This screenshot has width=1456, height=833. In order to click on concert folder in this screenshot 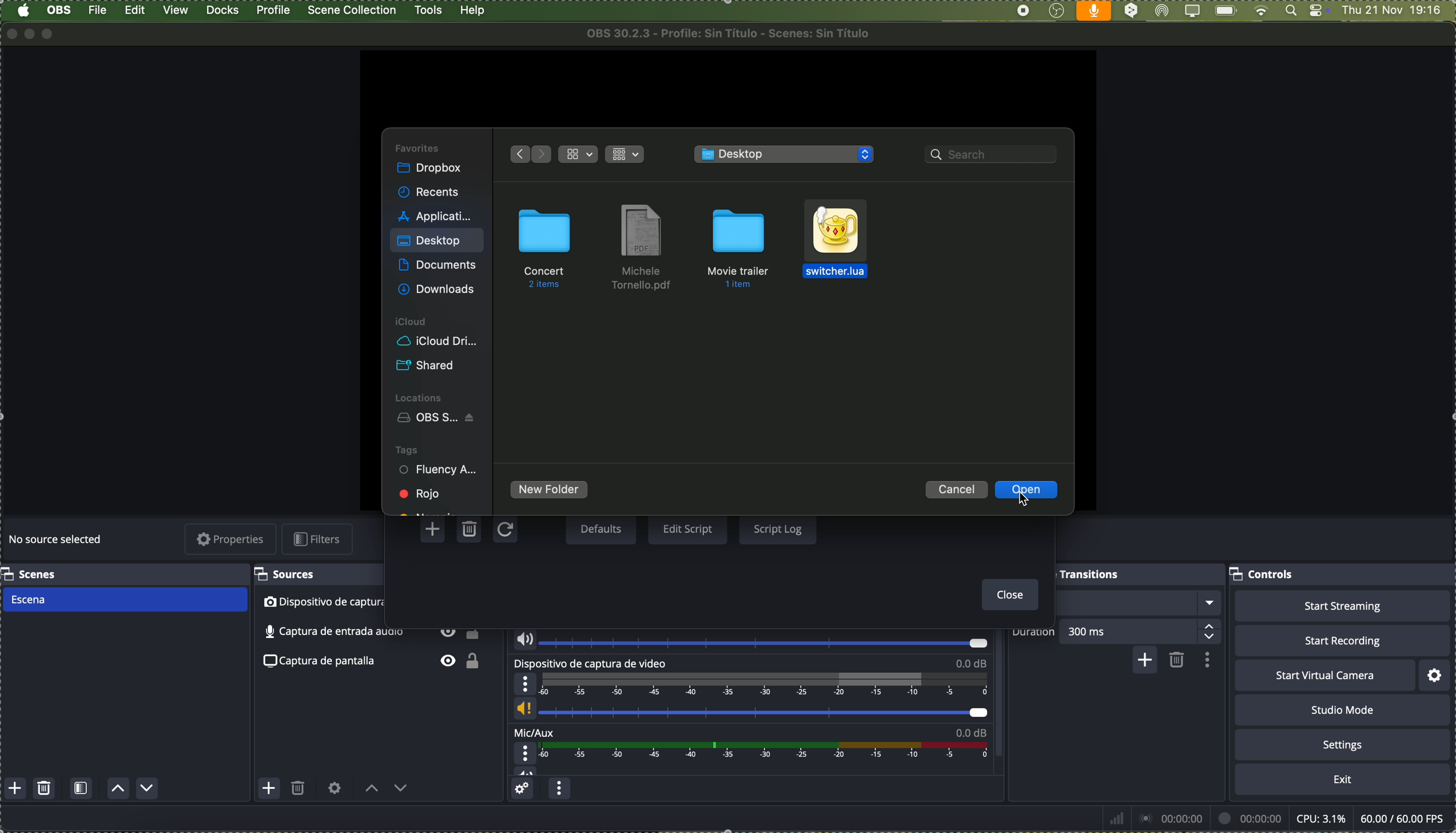, I will do `click(545, 248)`.